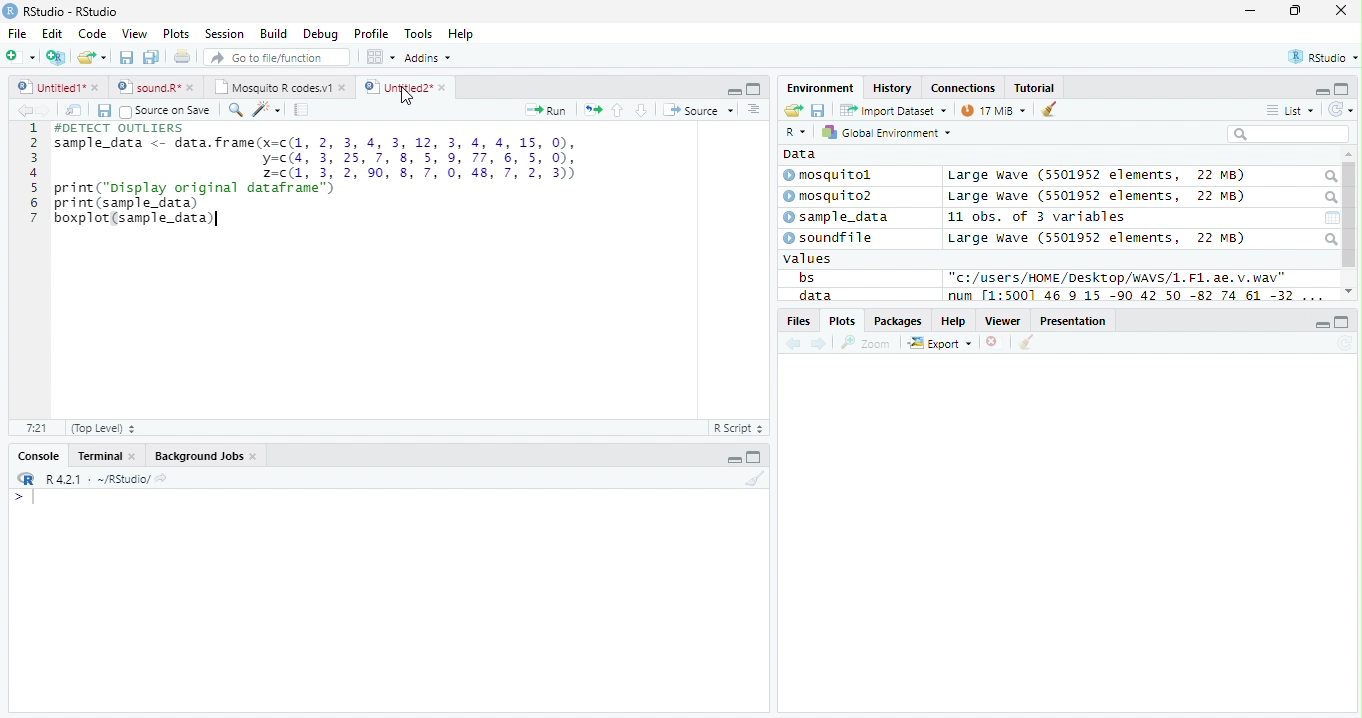 This screenshot has width=1362, height=718. I want to click on Save, so click(103, 111).